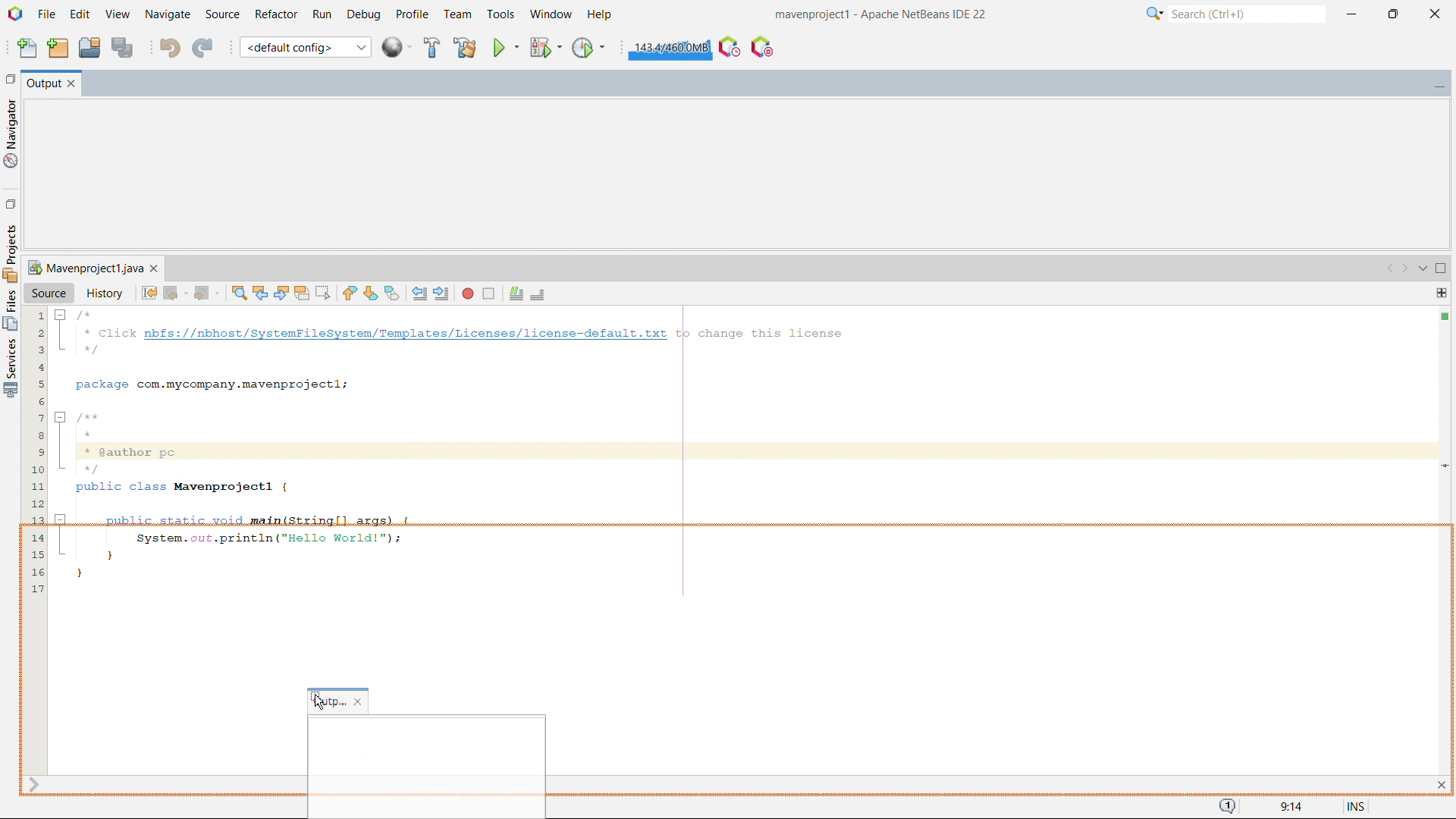  I want to click on maximize, so click(1392, 14).